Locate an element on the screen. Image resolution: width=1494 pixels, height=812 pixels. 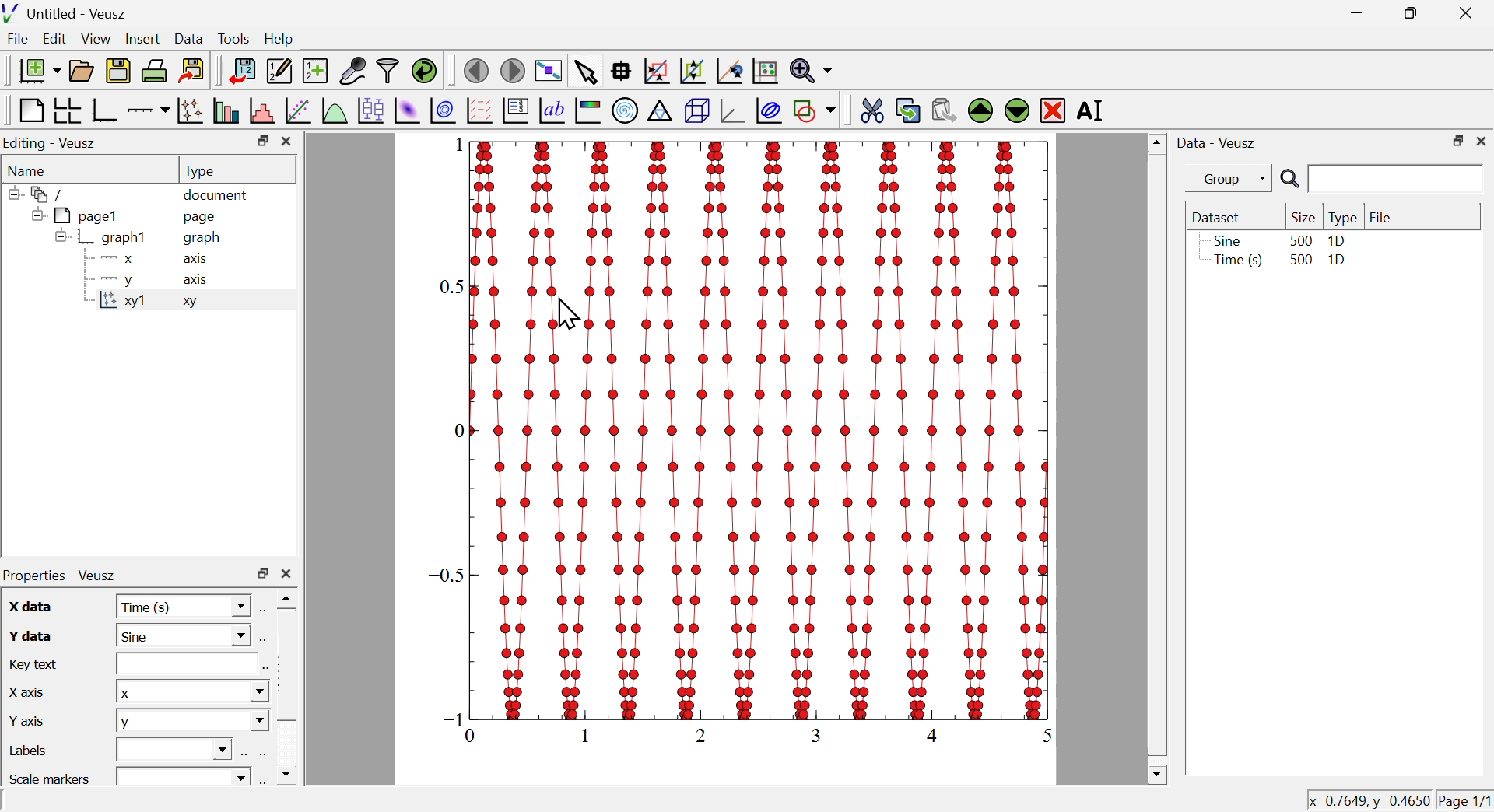
close is located at coordinates (1469, 12).